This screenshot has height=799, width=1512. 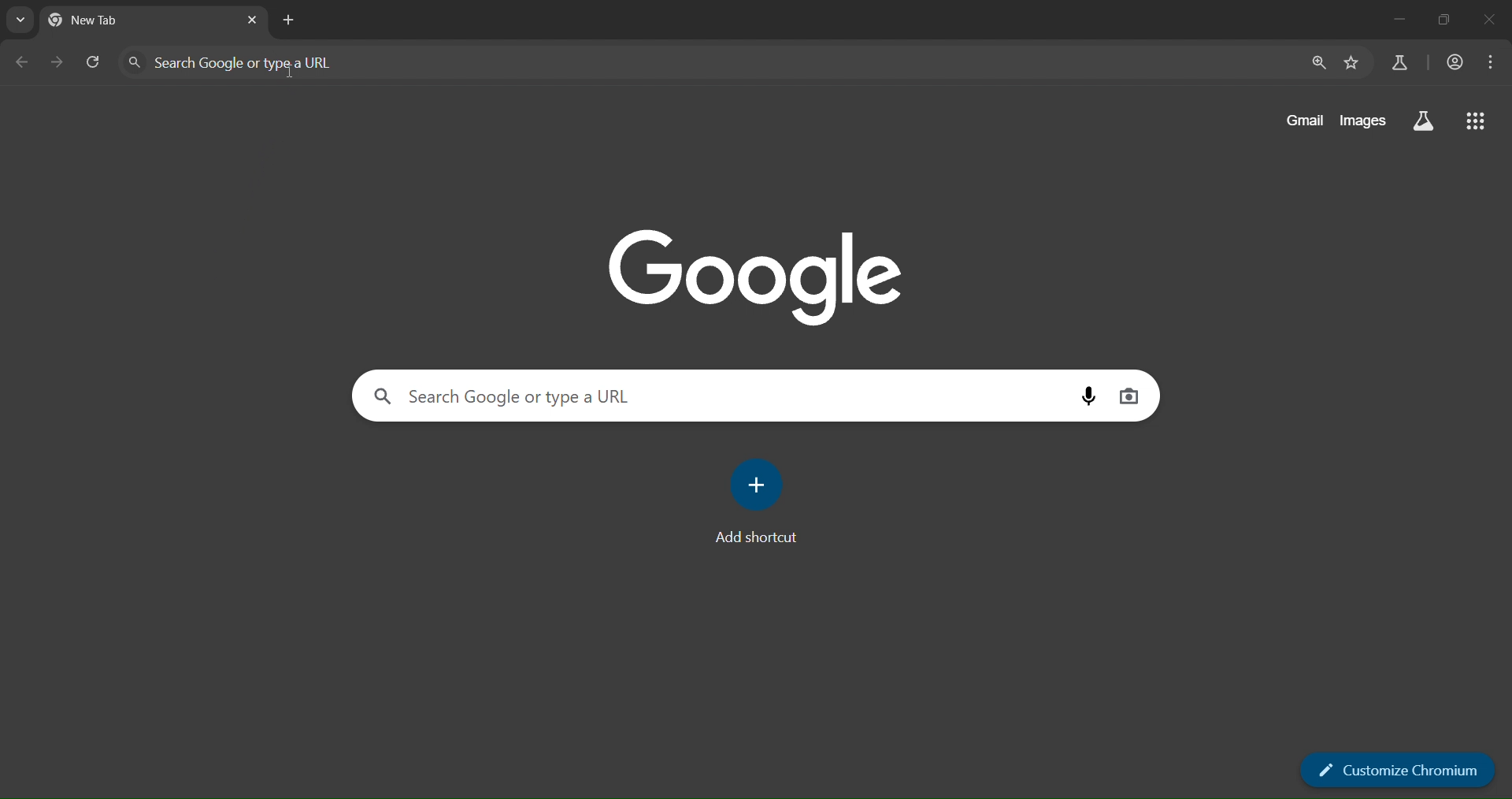 I want to click on minimize, so click(x=1395, y=20).